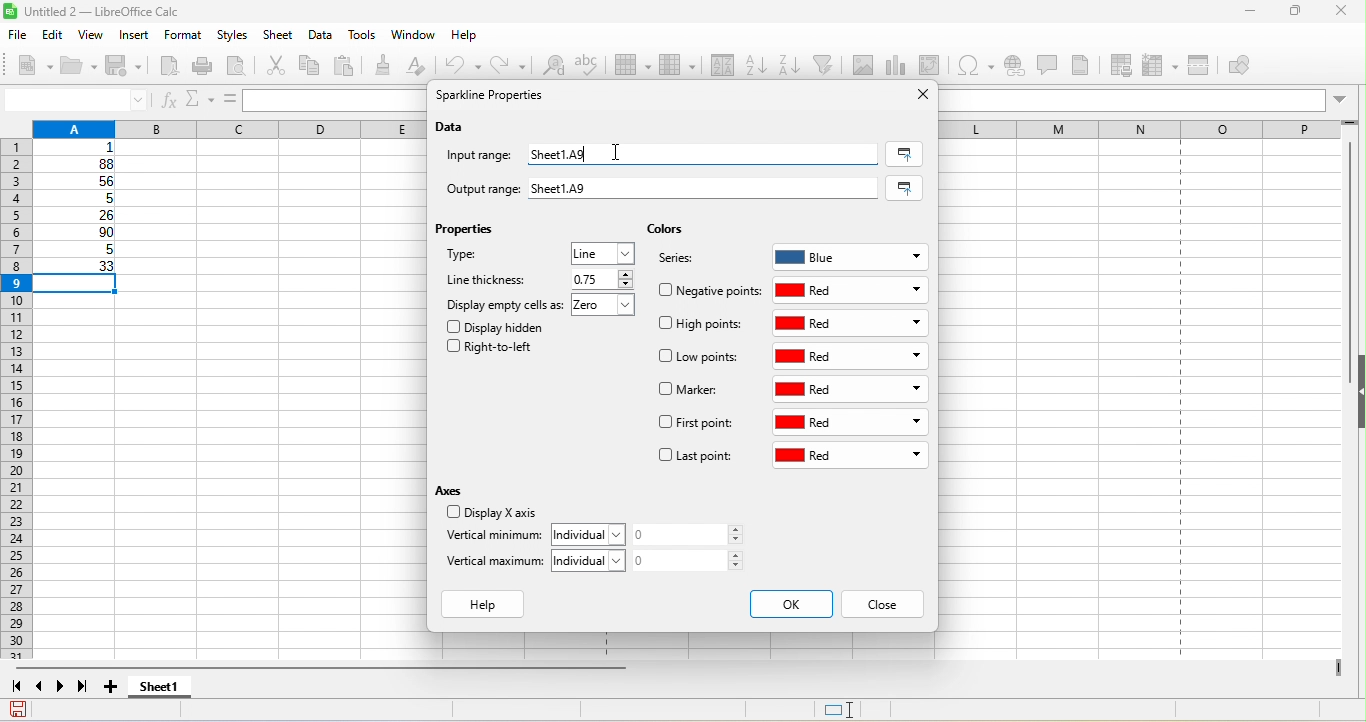 Image resolution: width=1366 pixels, height=722 pixels. Describe the element at coordinates (18, 709) in the screenshot. I see `save document` at that location.